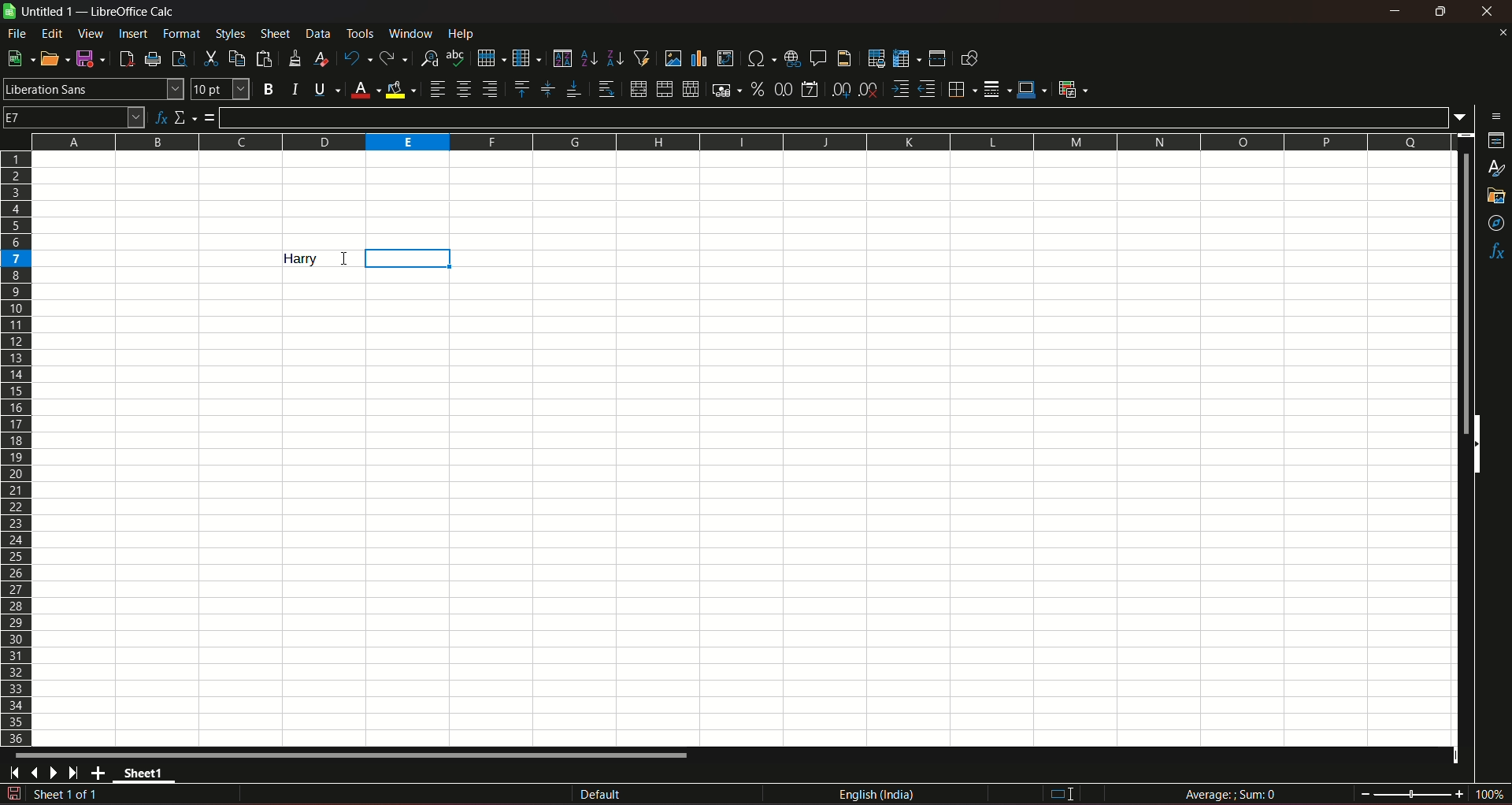 The width and height of the screenshot is (1512, 805). I want to click on open, so click(51, 58).